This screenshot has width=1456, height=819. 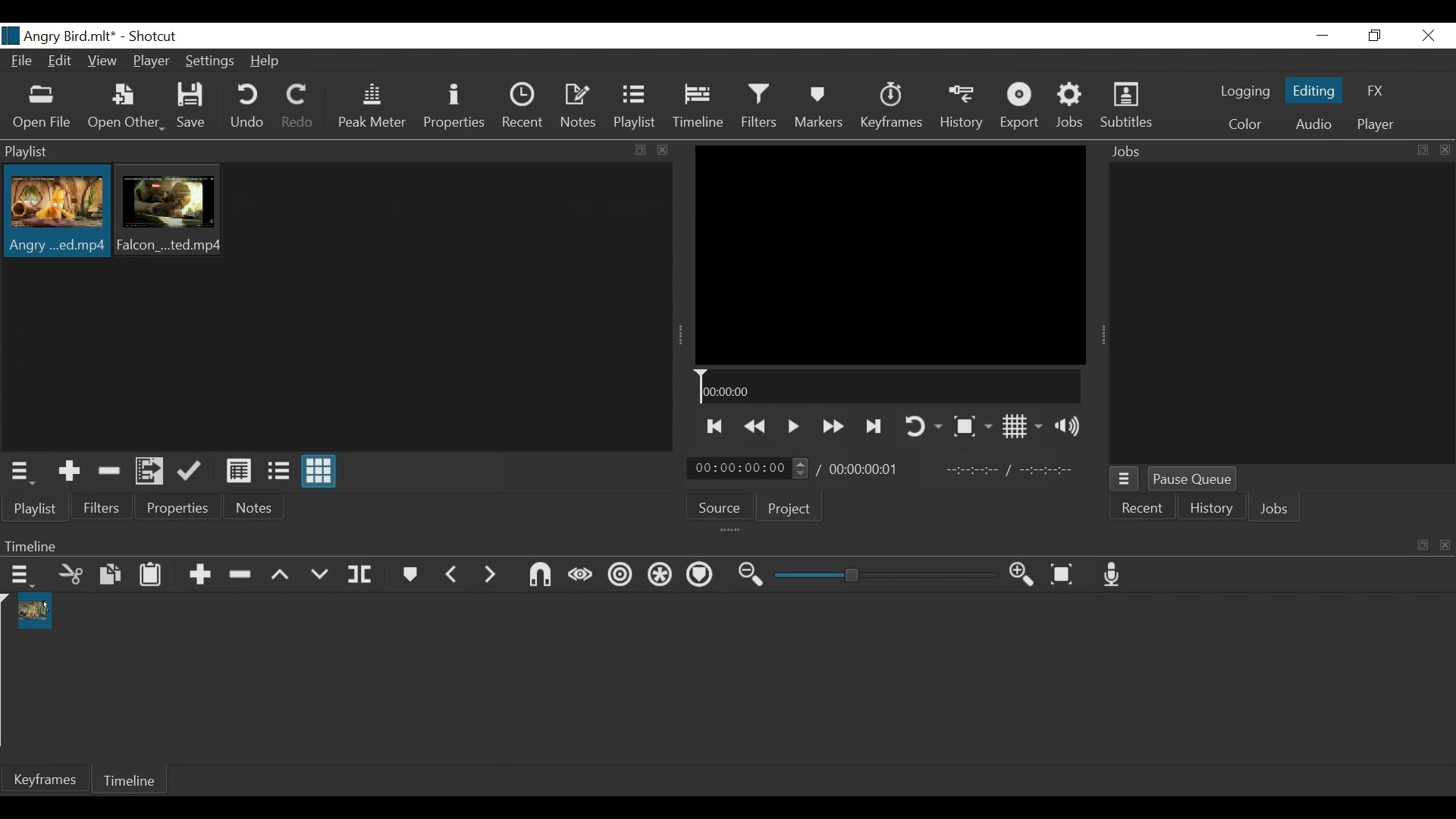 What do you see at coordinates (756, 428) in the screenshot?
I see `Play backward quickly` at bounding box center [756, 428].